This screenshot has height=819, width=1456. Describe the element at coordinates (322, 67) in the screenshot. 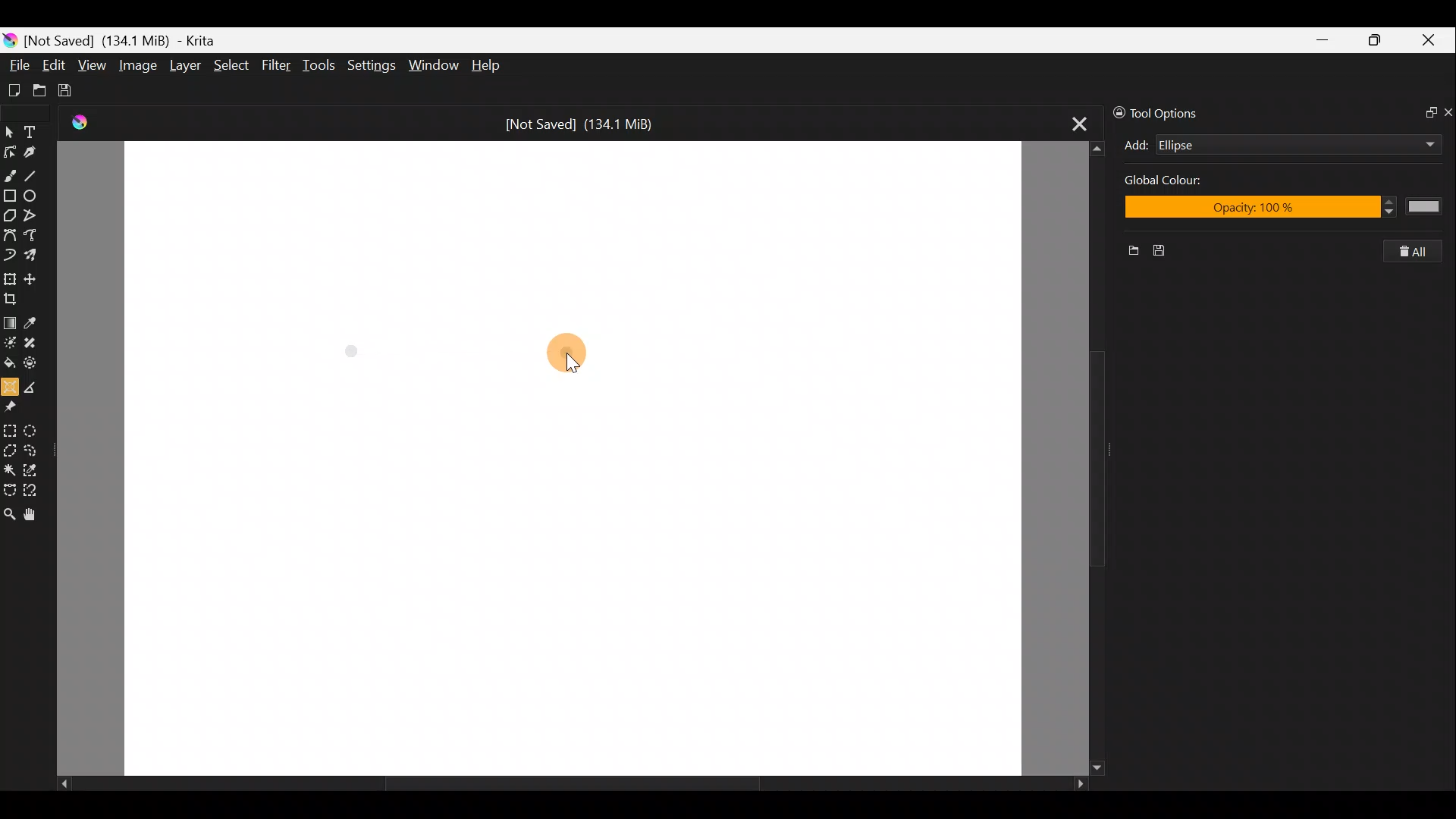

I see `Tools` at that location.